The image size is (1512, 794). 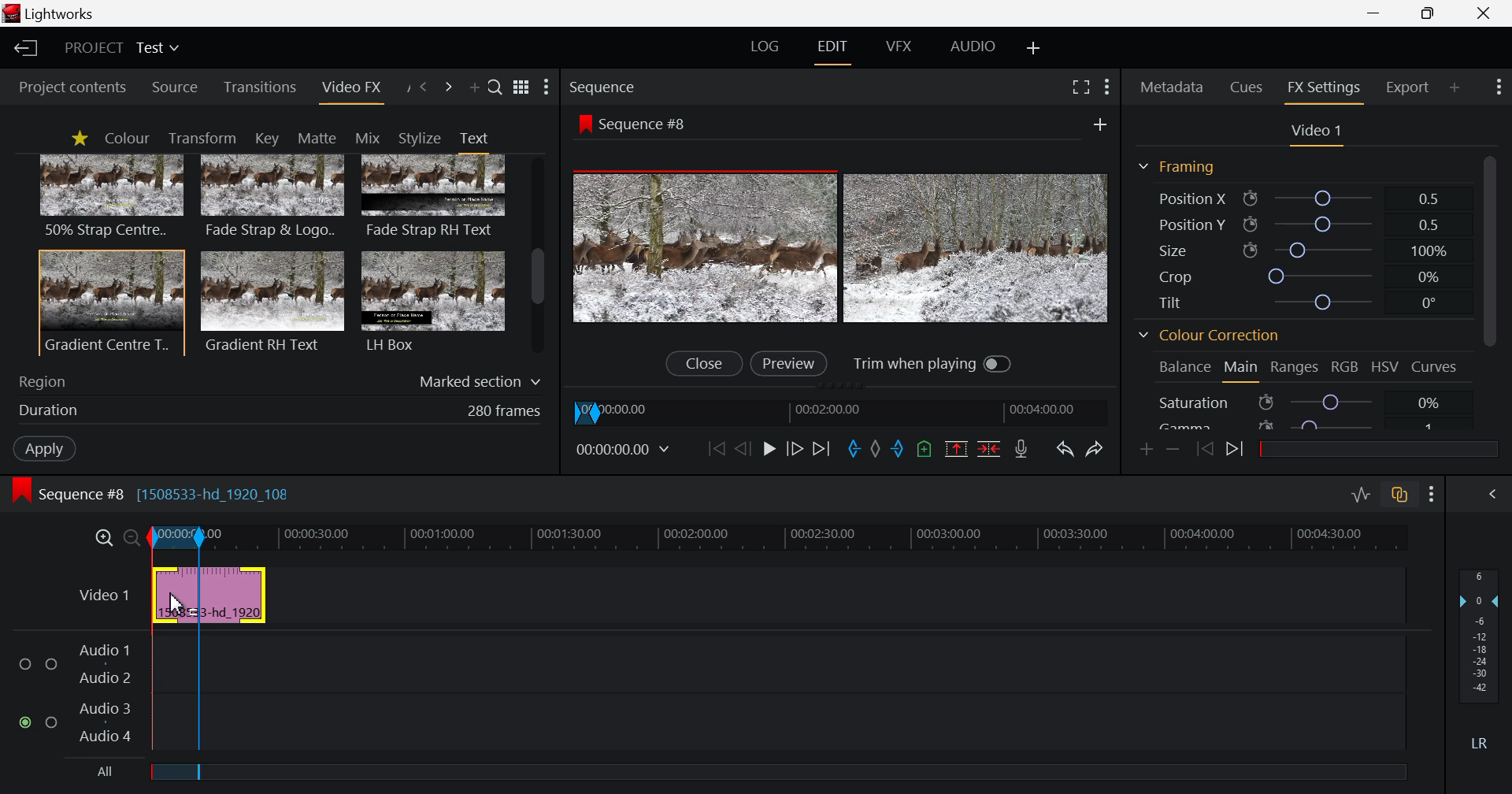 What do you see at coordinates (823, 448) in the screenshot?
I see `To End` at bounding box center [823, 448].